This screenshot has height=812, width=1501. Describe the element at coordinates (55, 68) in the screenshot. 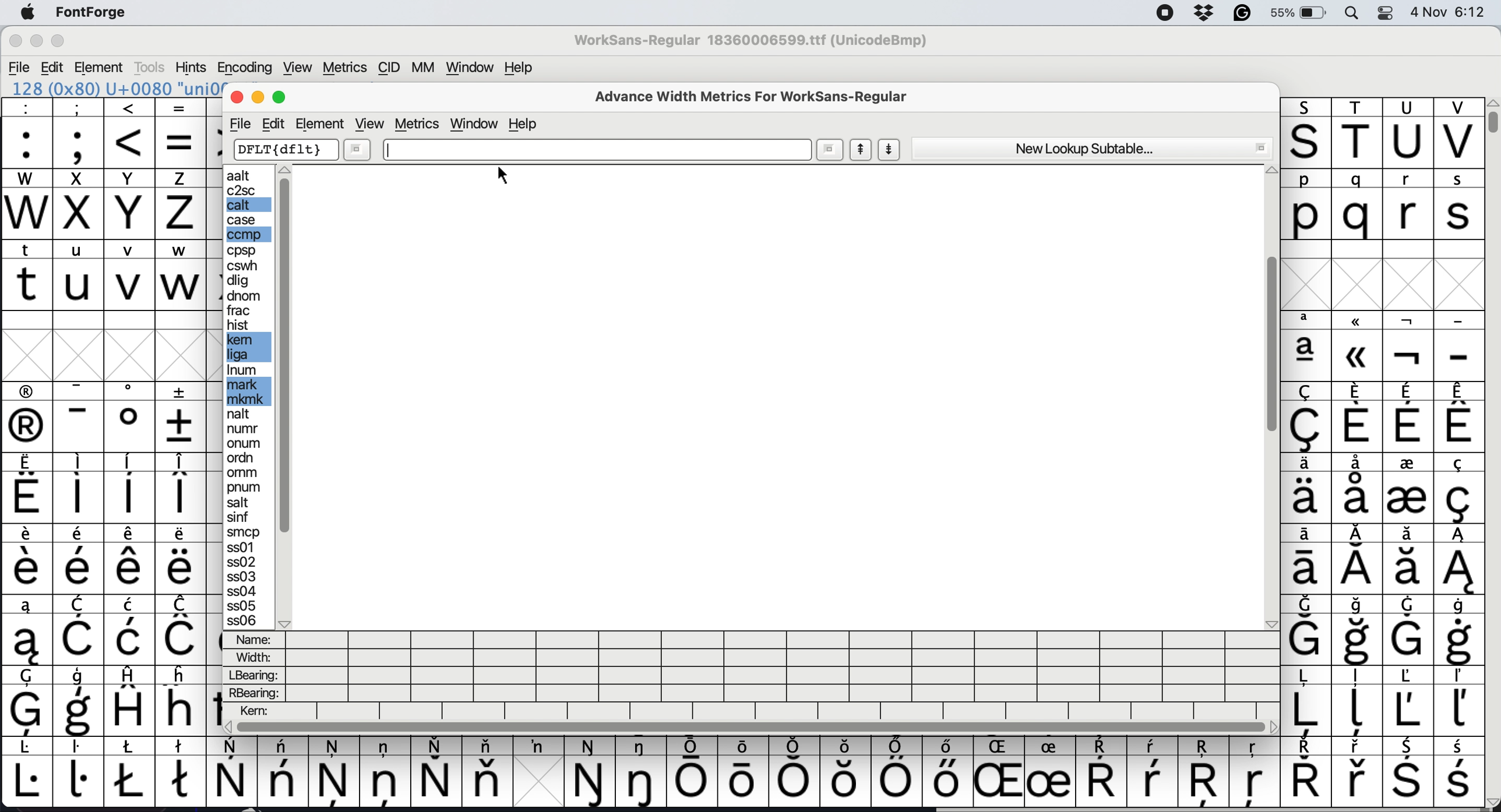

I see `Edit` at that location.